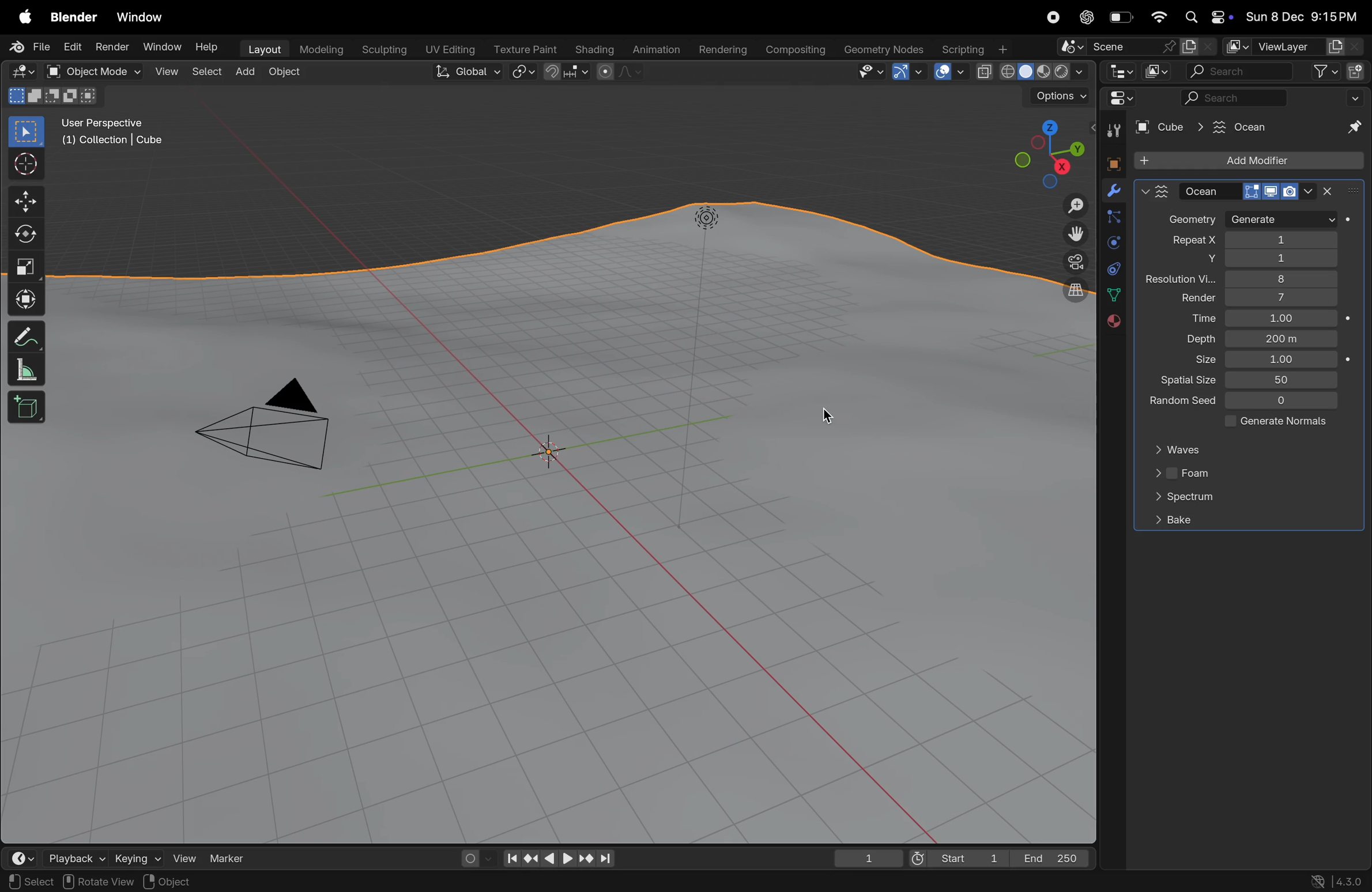 This screenshot has height=892, width=1372. I want to click on scale, so click(26, 267).